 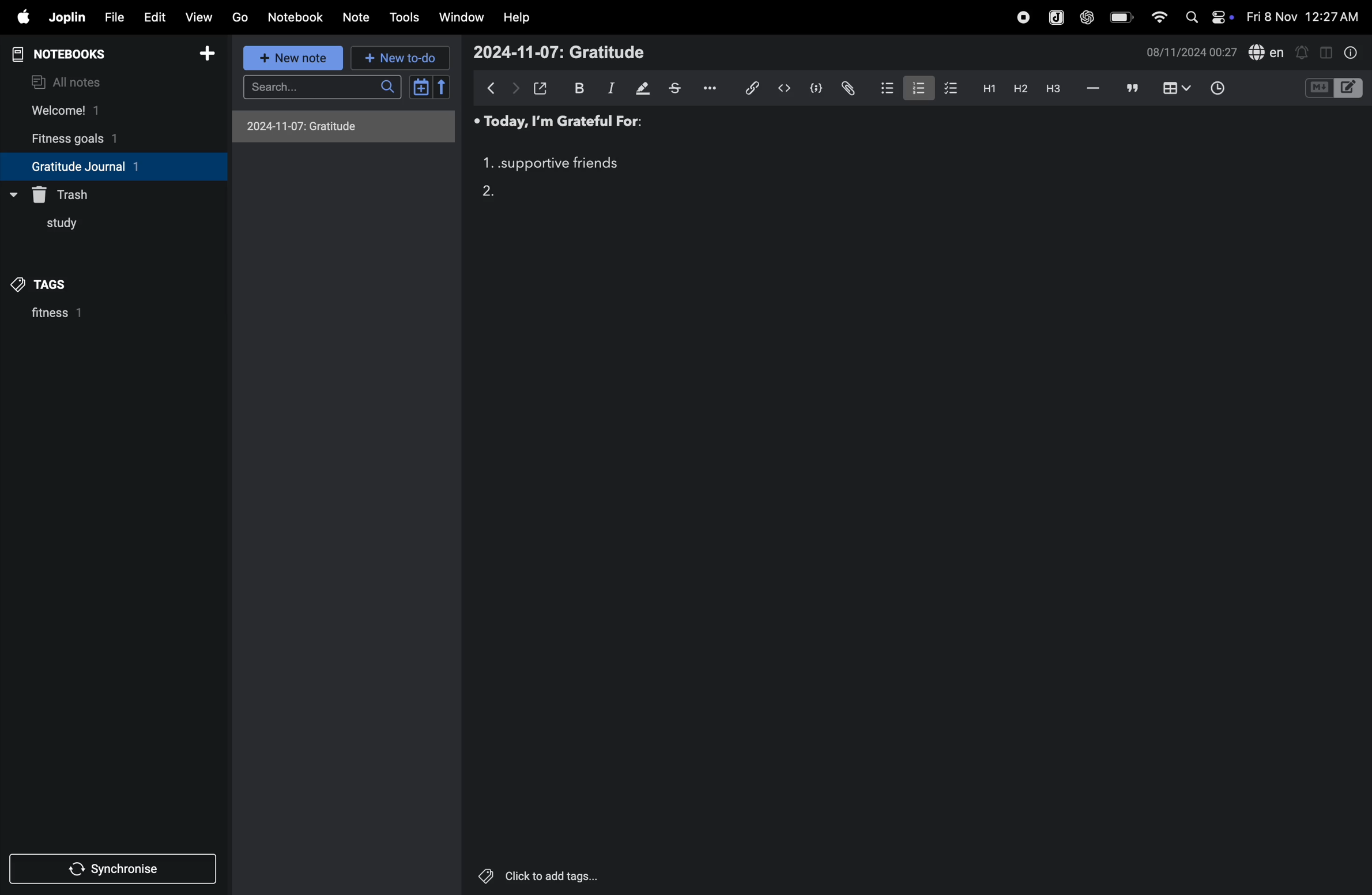 What do you see at coordinates (562, 52) in the screenshot?
I see `2024-11-07: Gratitude` at bounding box center [562, 52].